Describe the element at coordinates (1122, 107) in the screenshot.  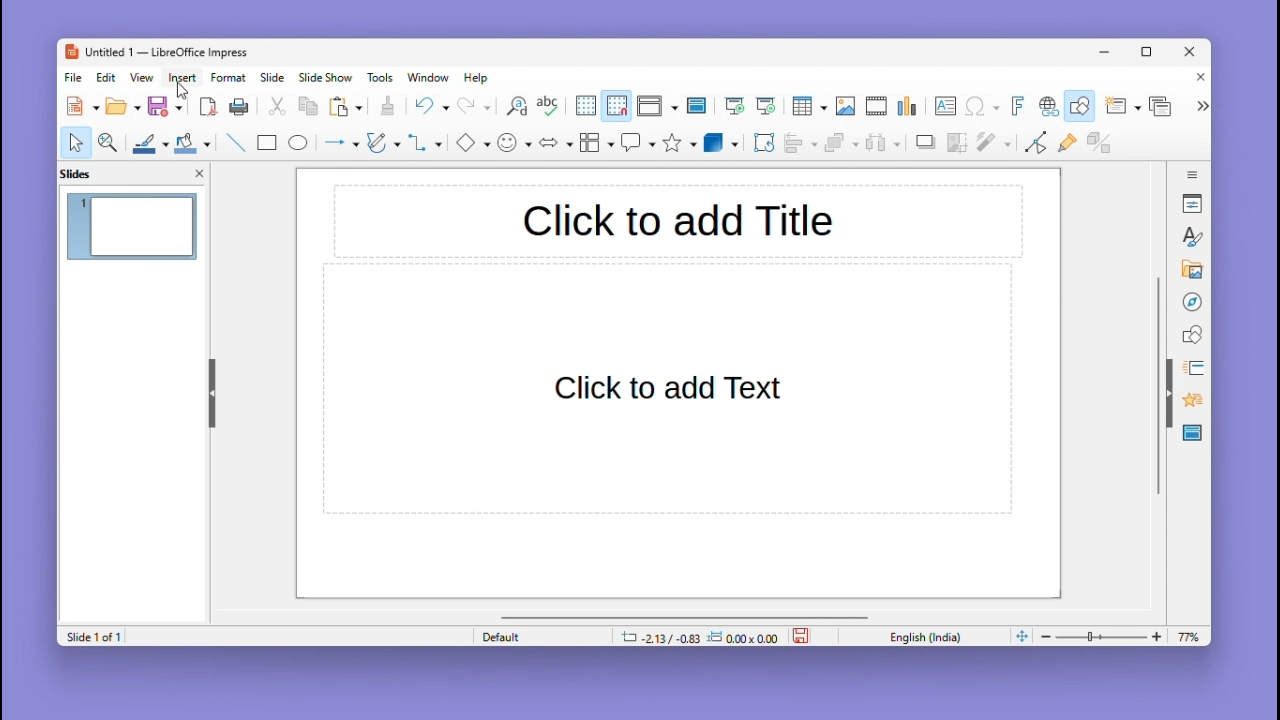
I see `New slide` at that location.